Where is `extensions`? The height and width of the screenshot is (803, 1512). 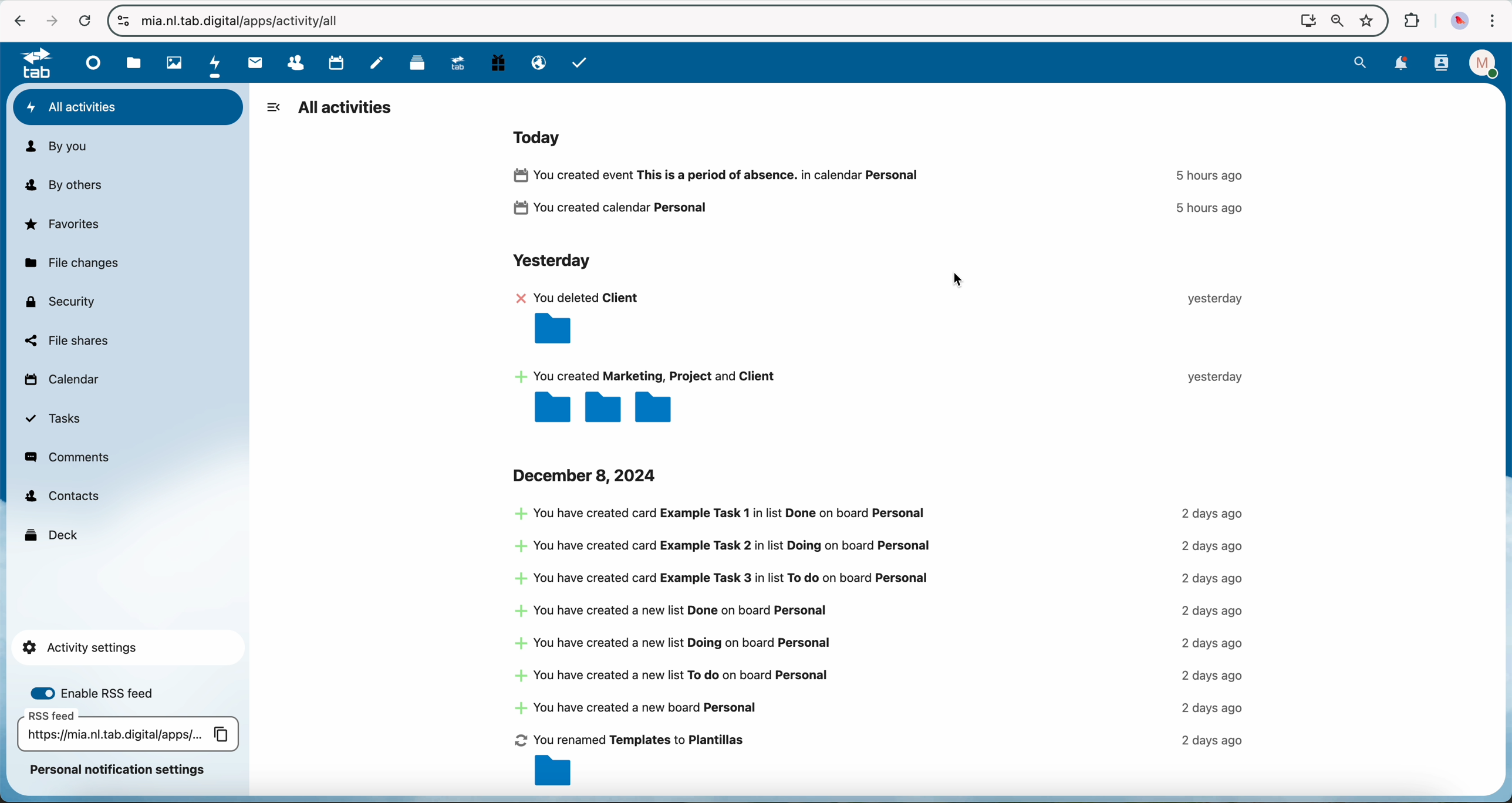
extensions is located at coordinates (1409, 19).